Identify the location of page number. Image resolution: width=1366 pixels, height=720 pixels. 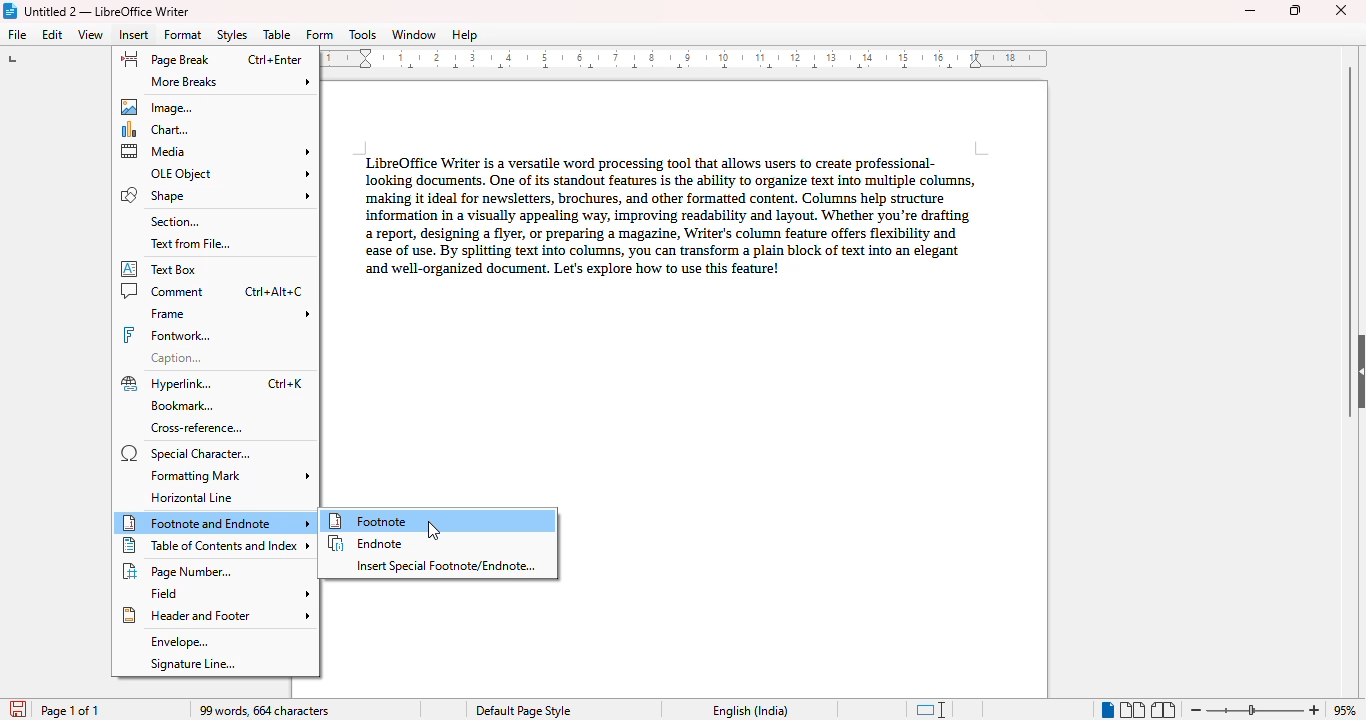
(180, 571).